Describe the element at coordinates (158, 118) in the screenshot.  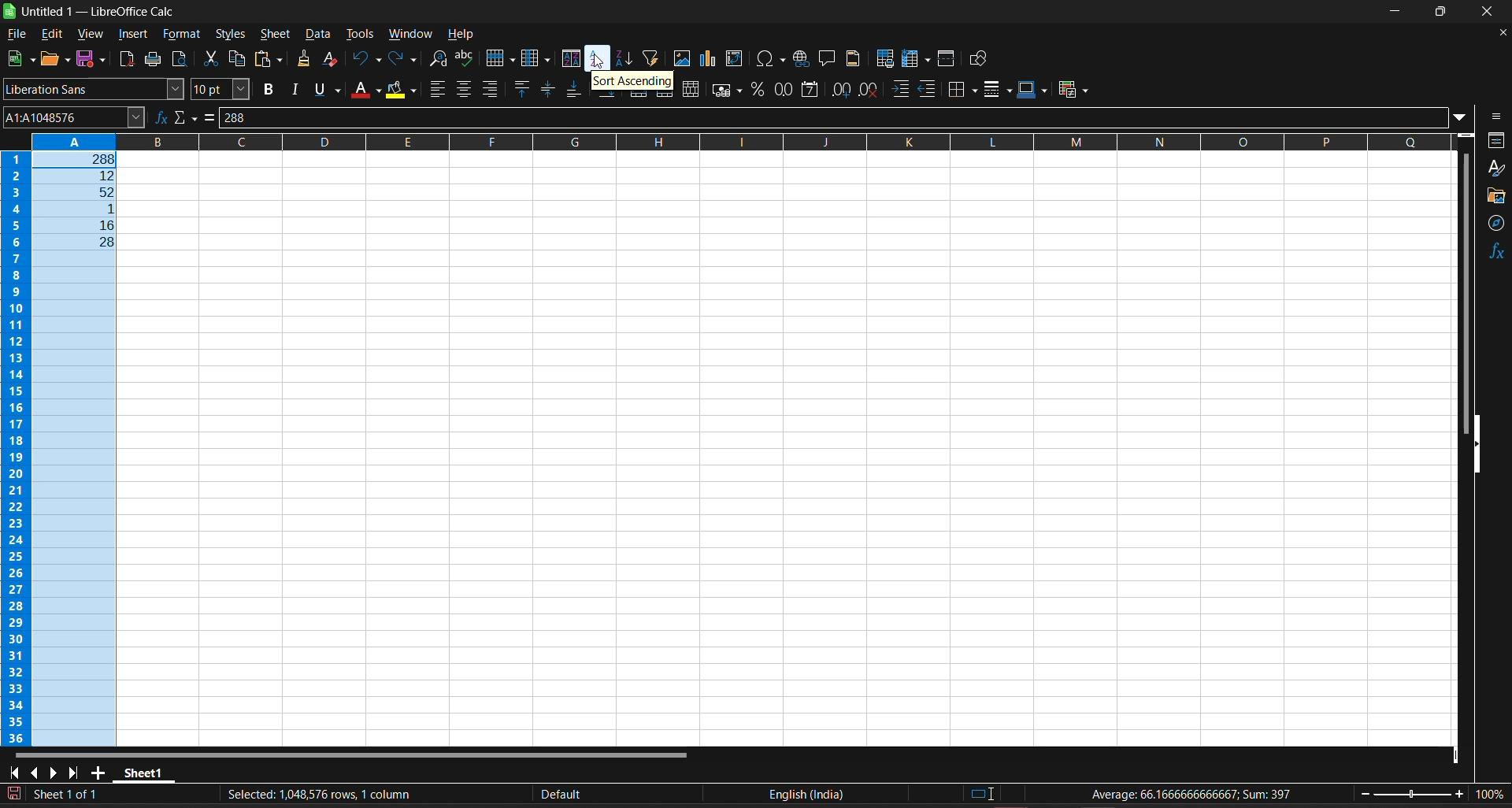
I see `function wizard` at that location.